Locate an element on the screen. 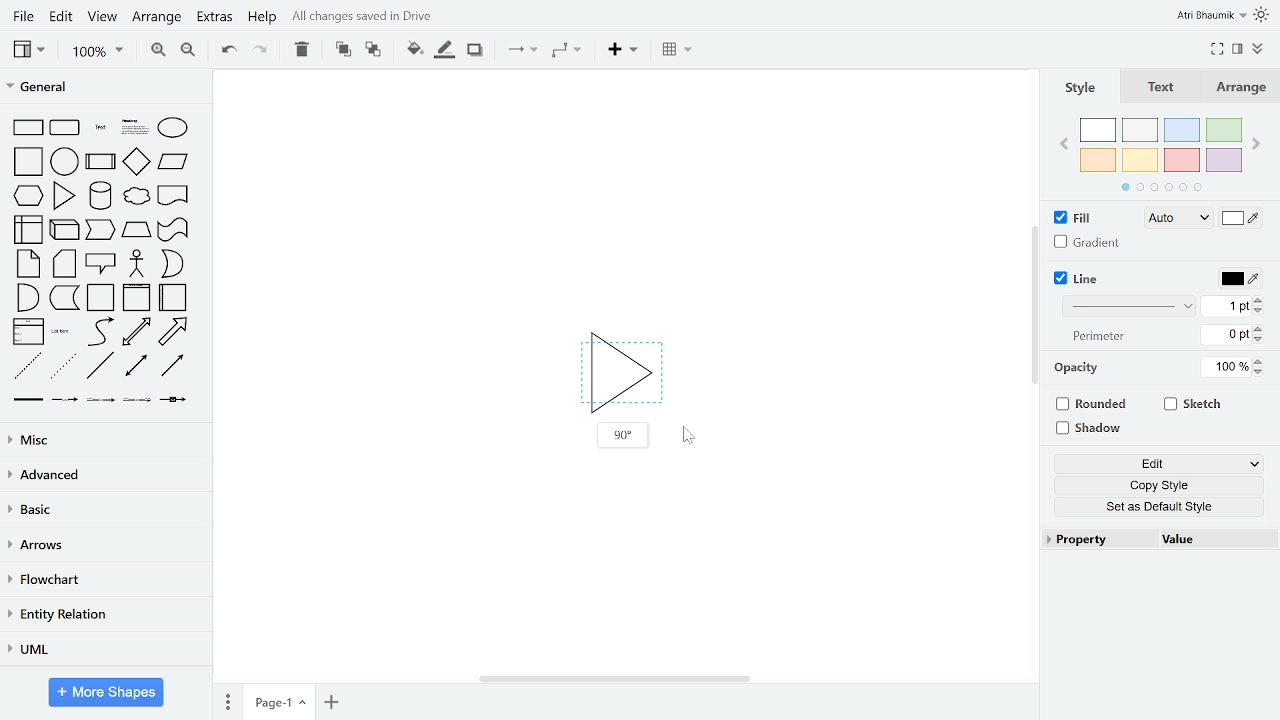  copy style is located at coordinates (1160, 486).